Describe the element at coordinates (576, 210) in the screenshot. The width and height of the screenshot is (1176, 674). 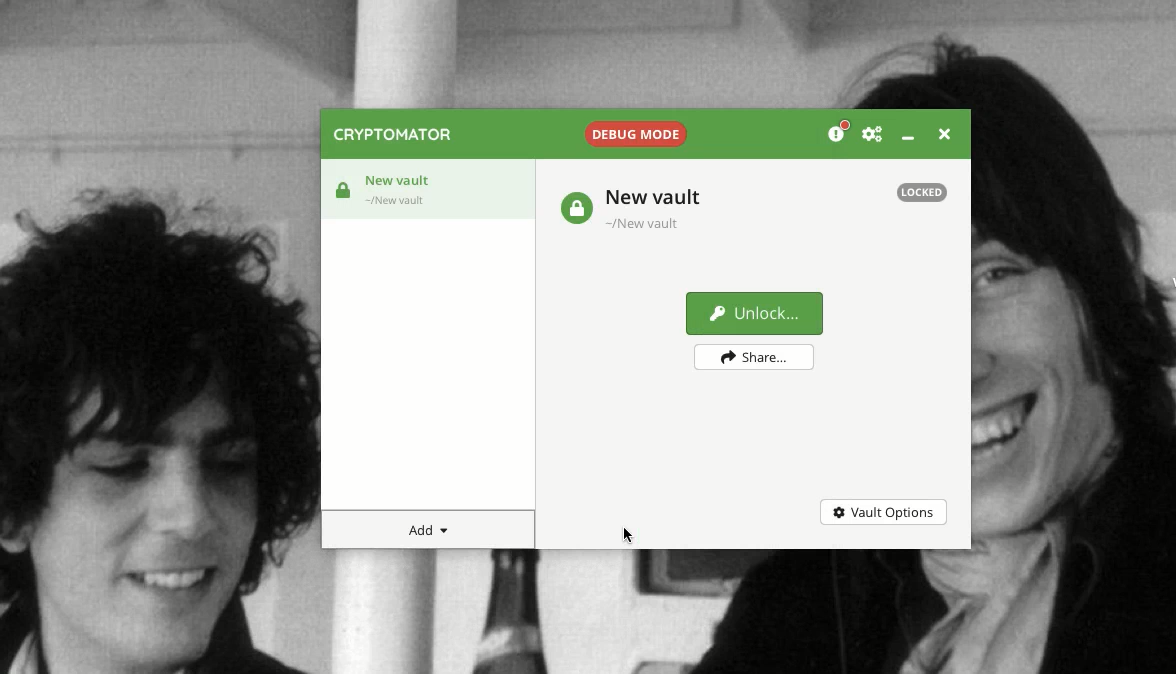
I see `Locked` at that location.